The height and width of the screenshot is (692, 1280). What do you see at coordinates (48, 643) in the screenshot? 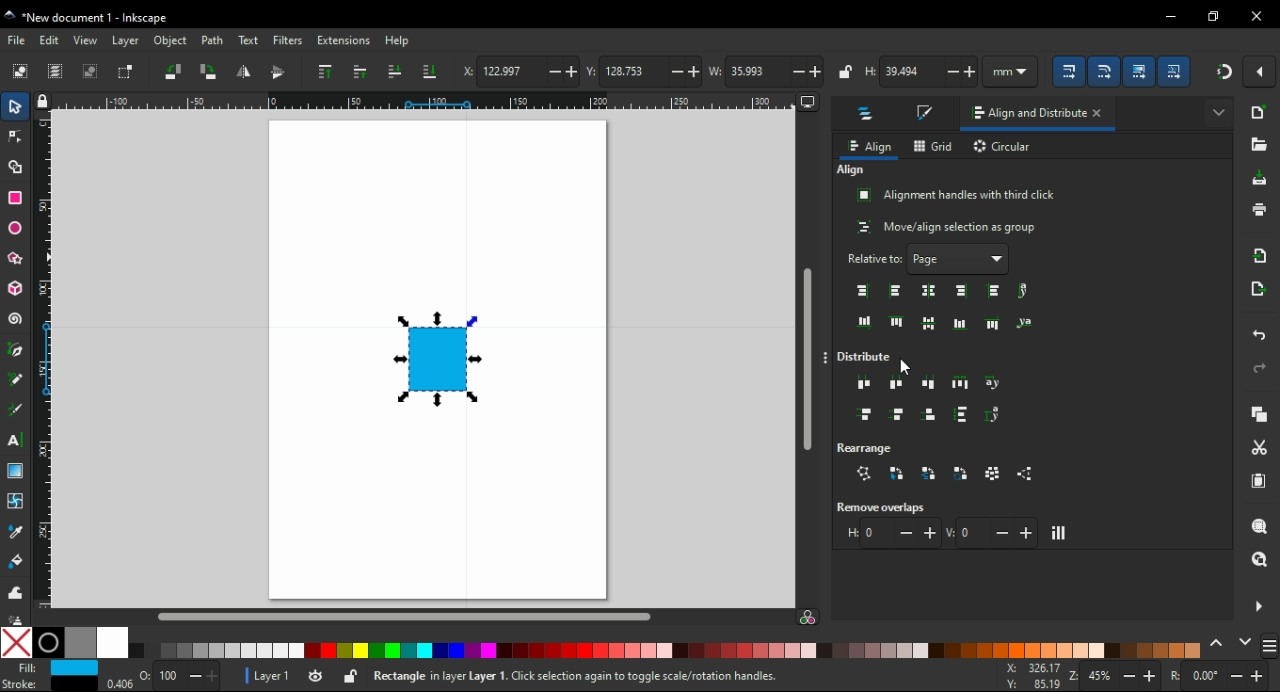
I see `black` at bounding box center [48, 643].